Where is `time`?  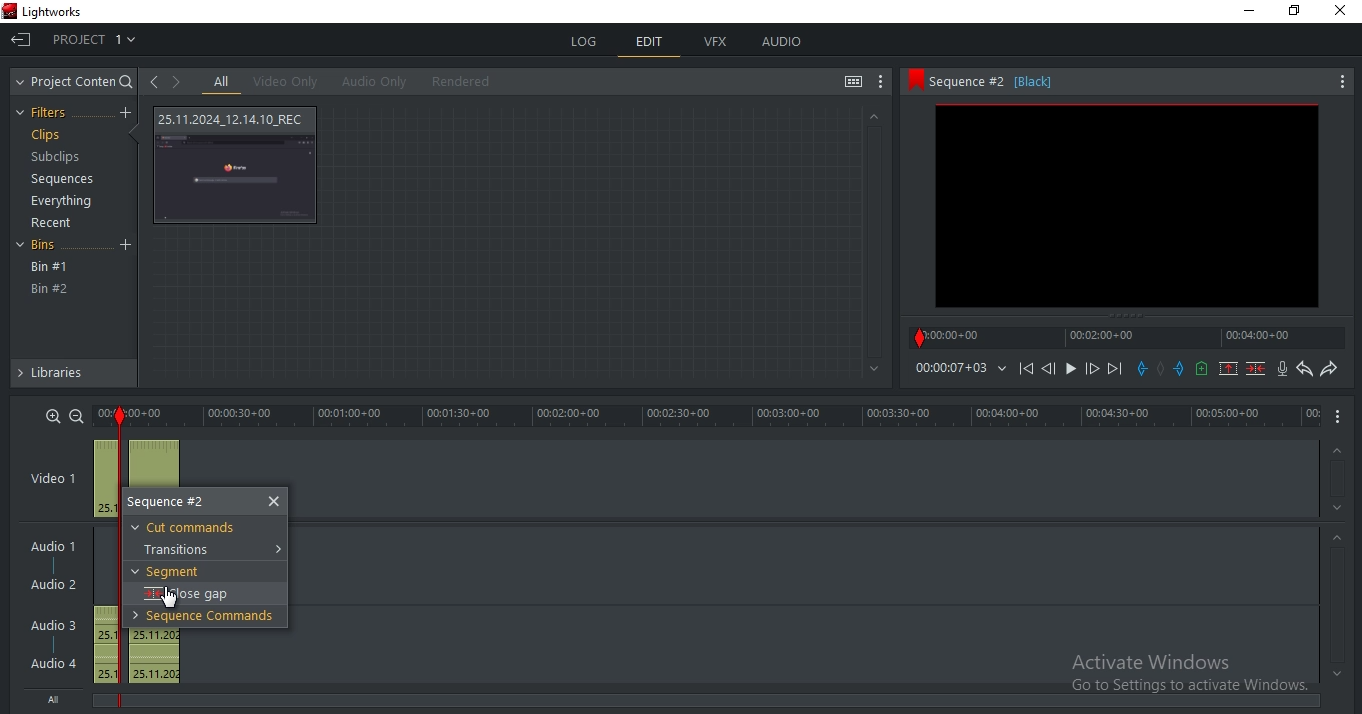 time is located at coordinates (960, 368).